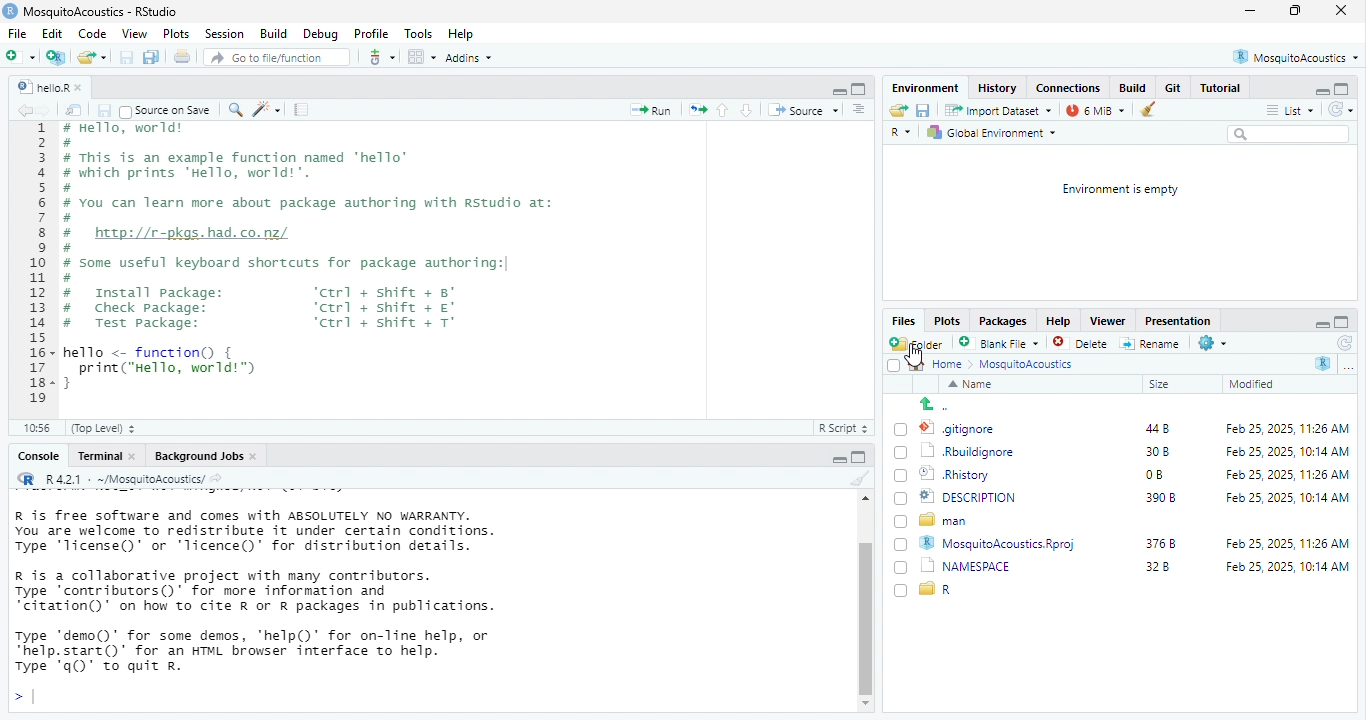 Image resolution: width=1366 pixels, height=720 pixels. Describe the element at coordinates (418, 32) in the screenshot. I see `Tools` at that location.